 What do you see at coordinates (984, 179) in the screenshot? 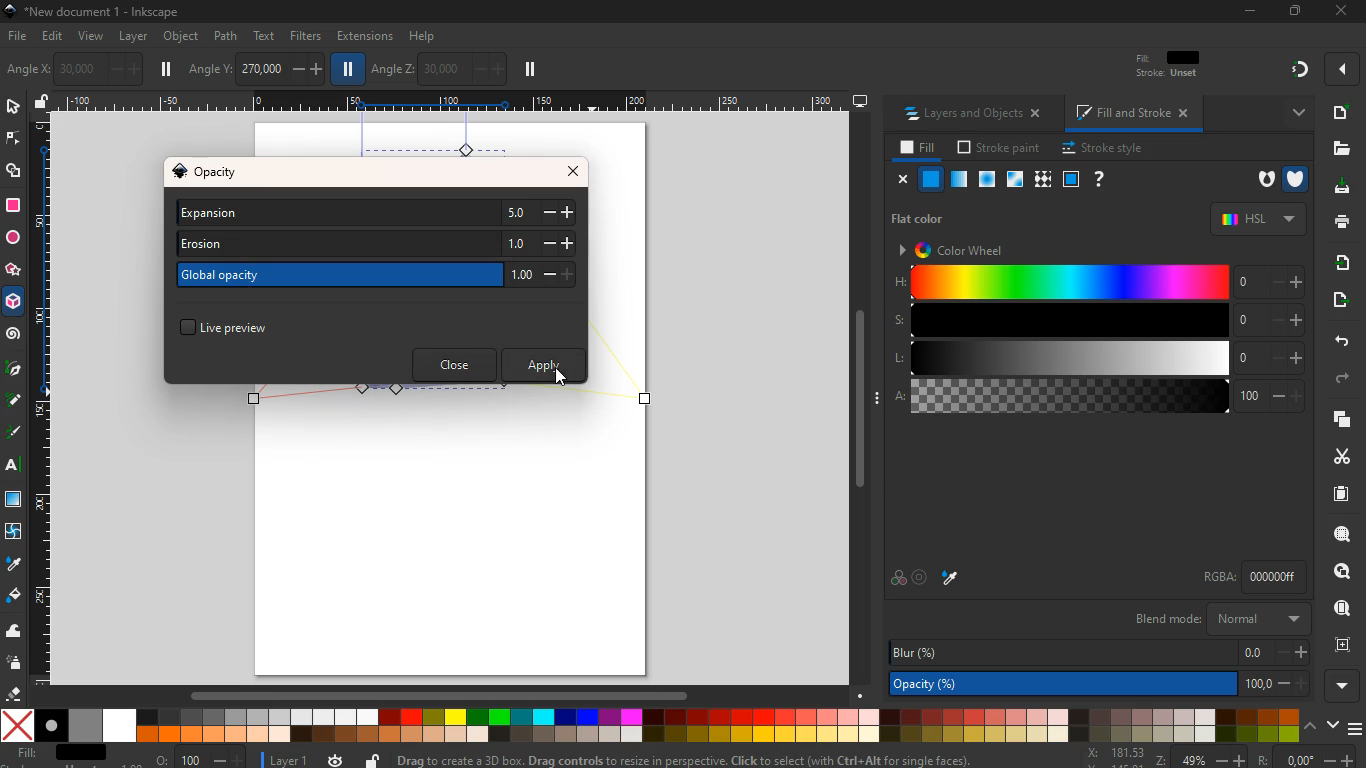
I see `ice` at bounding box center [984, 179].